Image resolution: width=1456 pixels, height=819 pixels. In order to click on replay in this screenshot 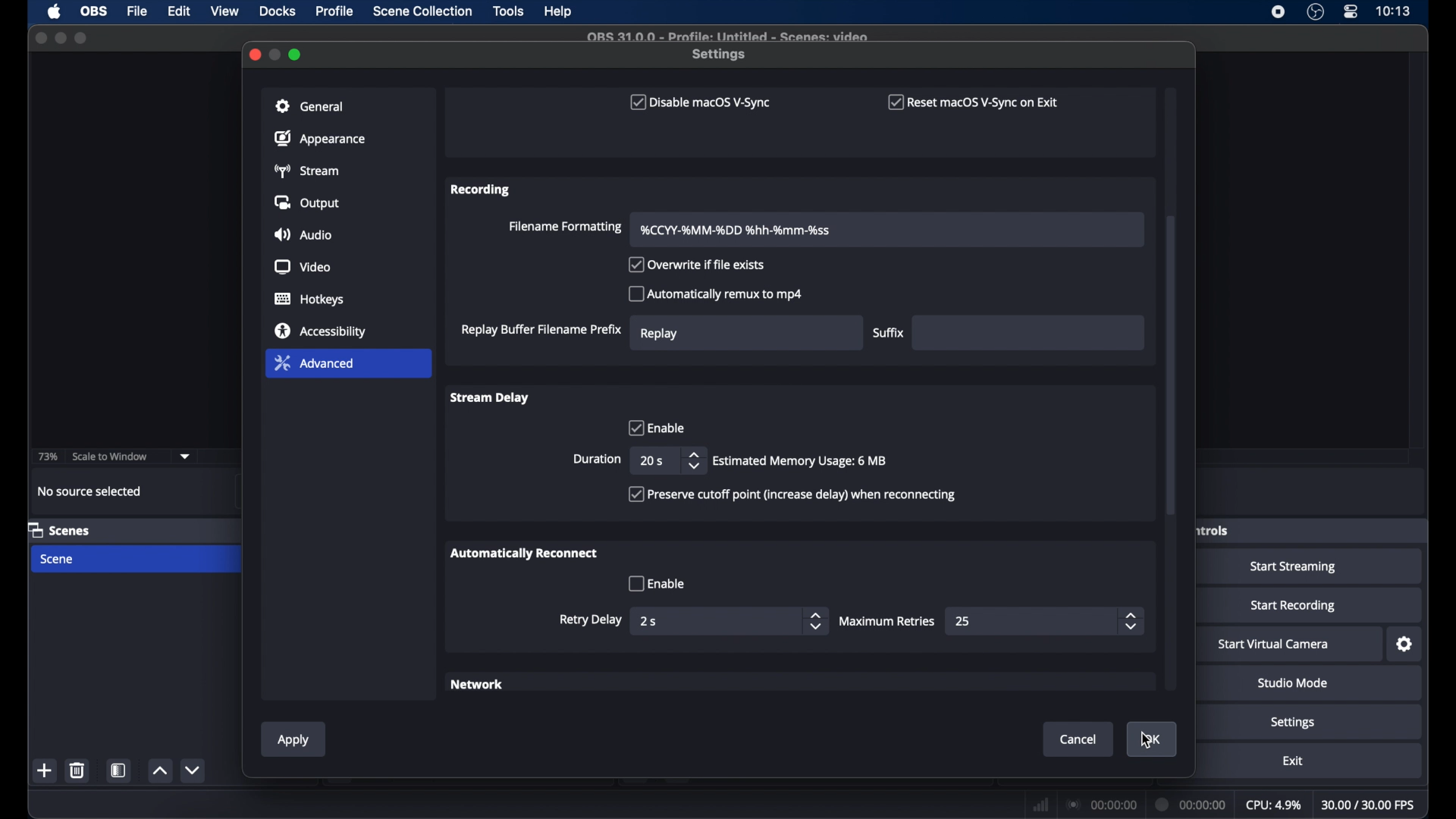, I will do `click(660, 333)`.